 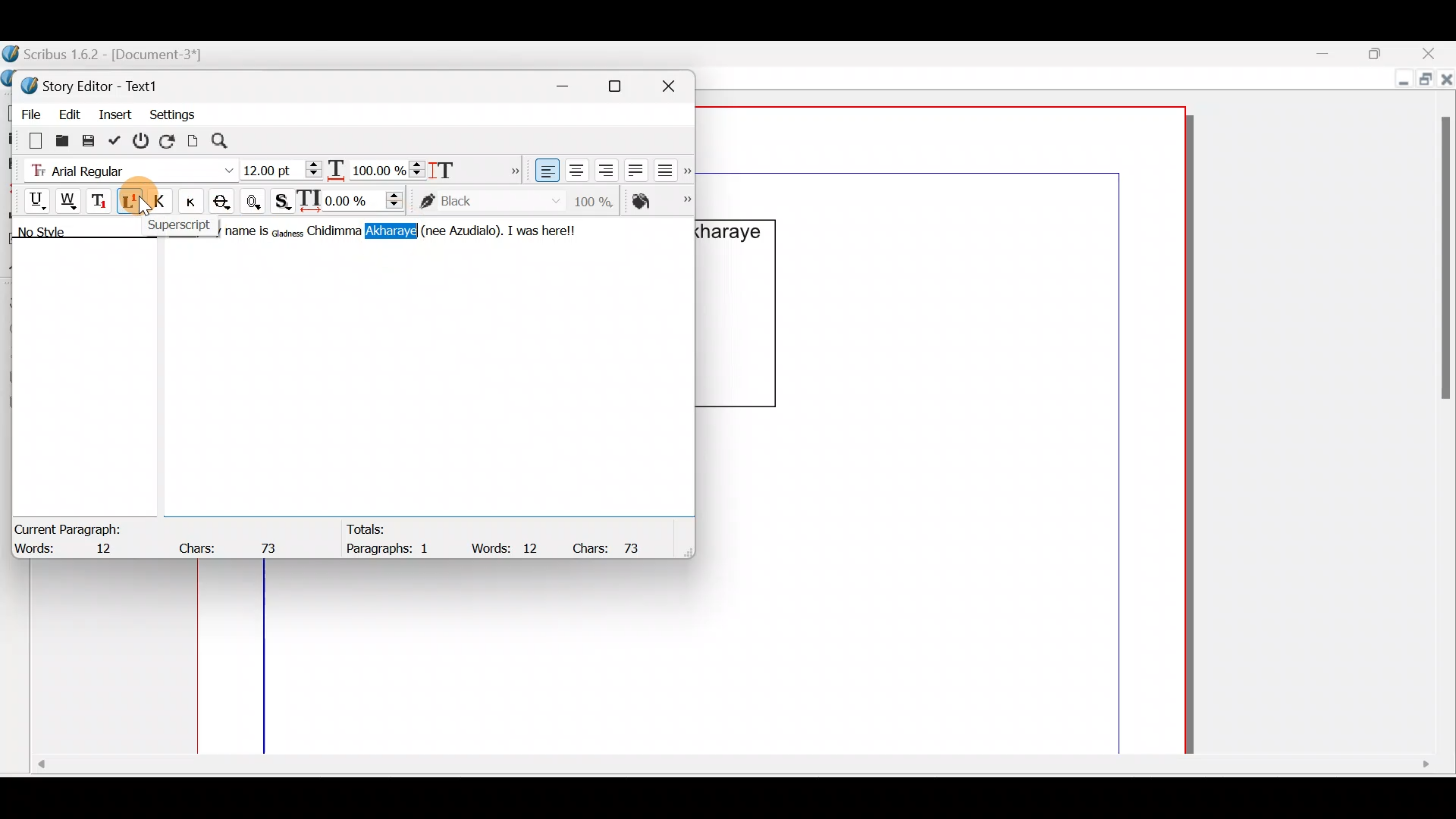 What do you see at coordinates (58, 234) in the screenshot?
I see `No style` at bounding box center [58, 234].